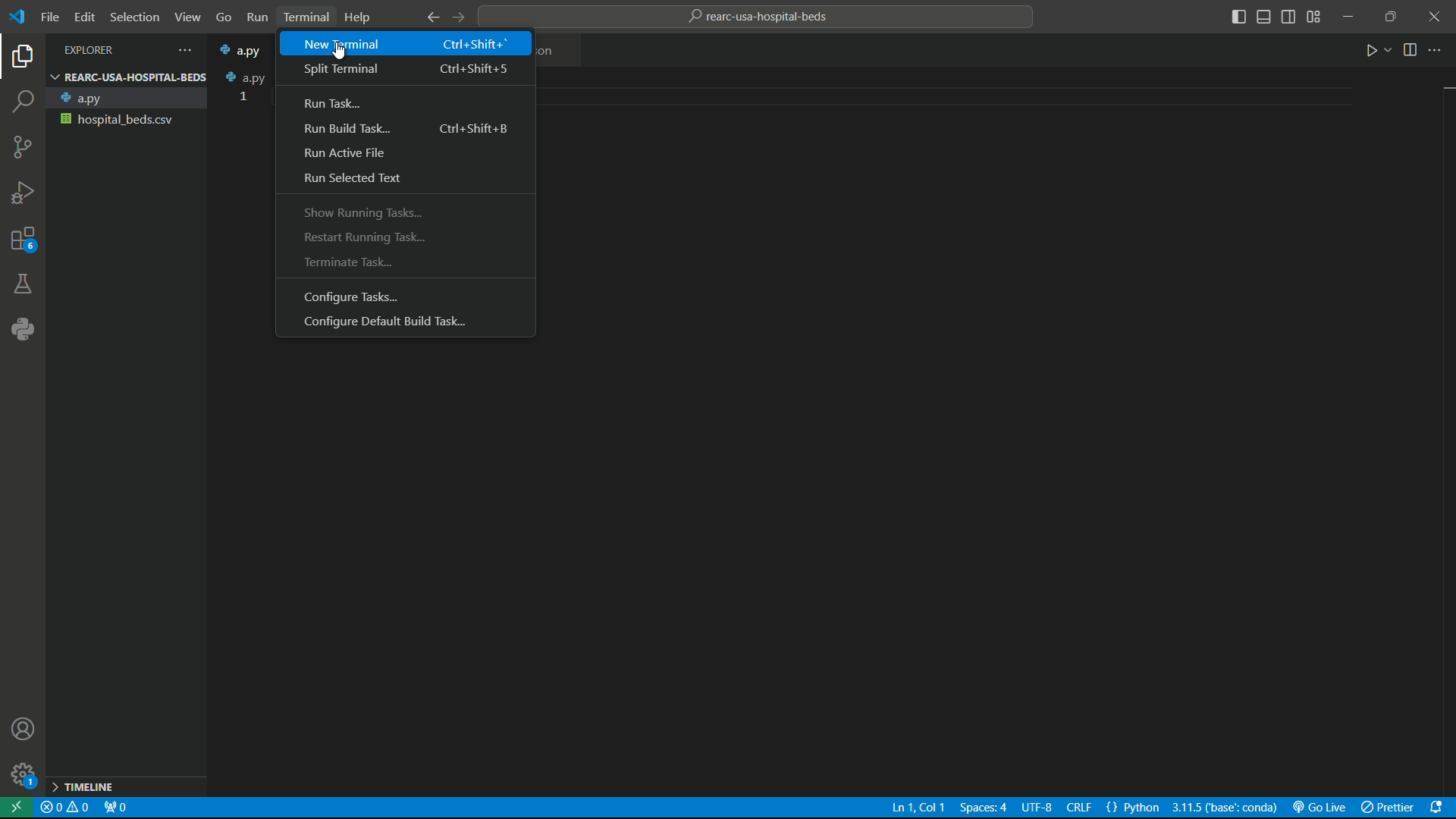 Image resolution: width=1456 pixels, height=819 pixels. Describe the element at coordinates (340, 50) in the screenshot. I see `cursor` at that location.